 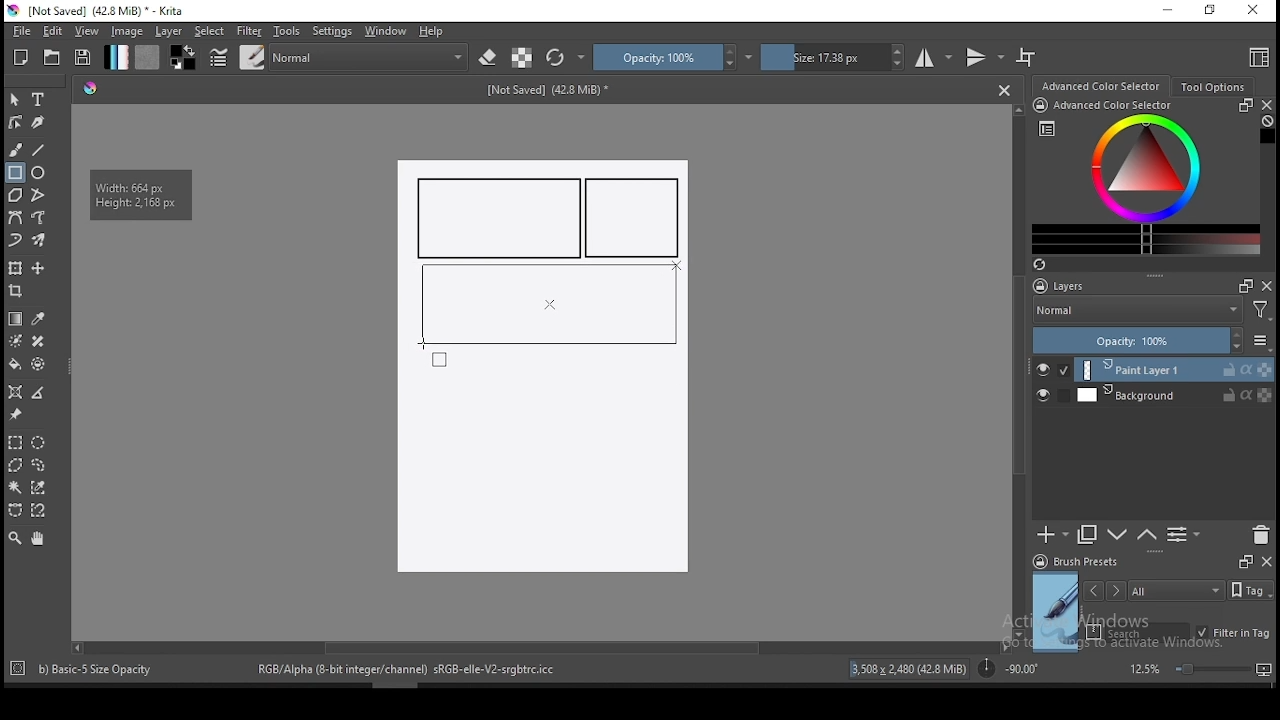 What do you see at coordinates (1174, 395) in the screenshot?
I see `layer` at bounding box center [1174, 395].